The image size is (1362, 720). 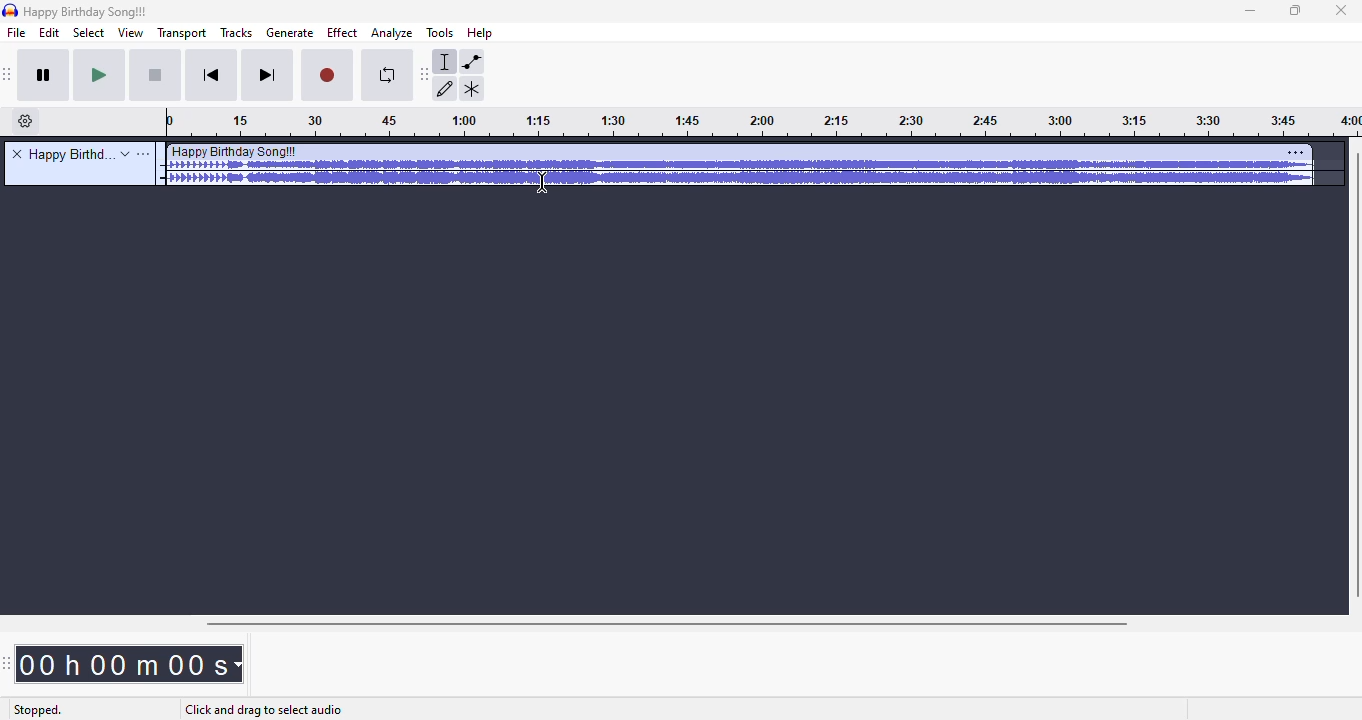 What do you see at coordinates (446, 62) in the screenshot?
I see `selection tool` at bounding box center [446, 62].